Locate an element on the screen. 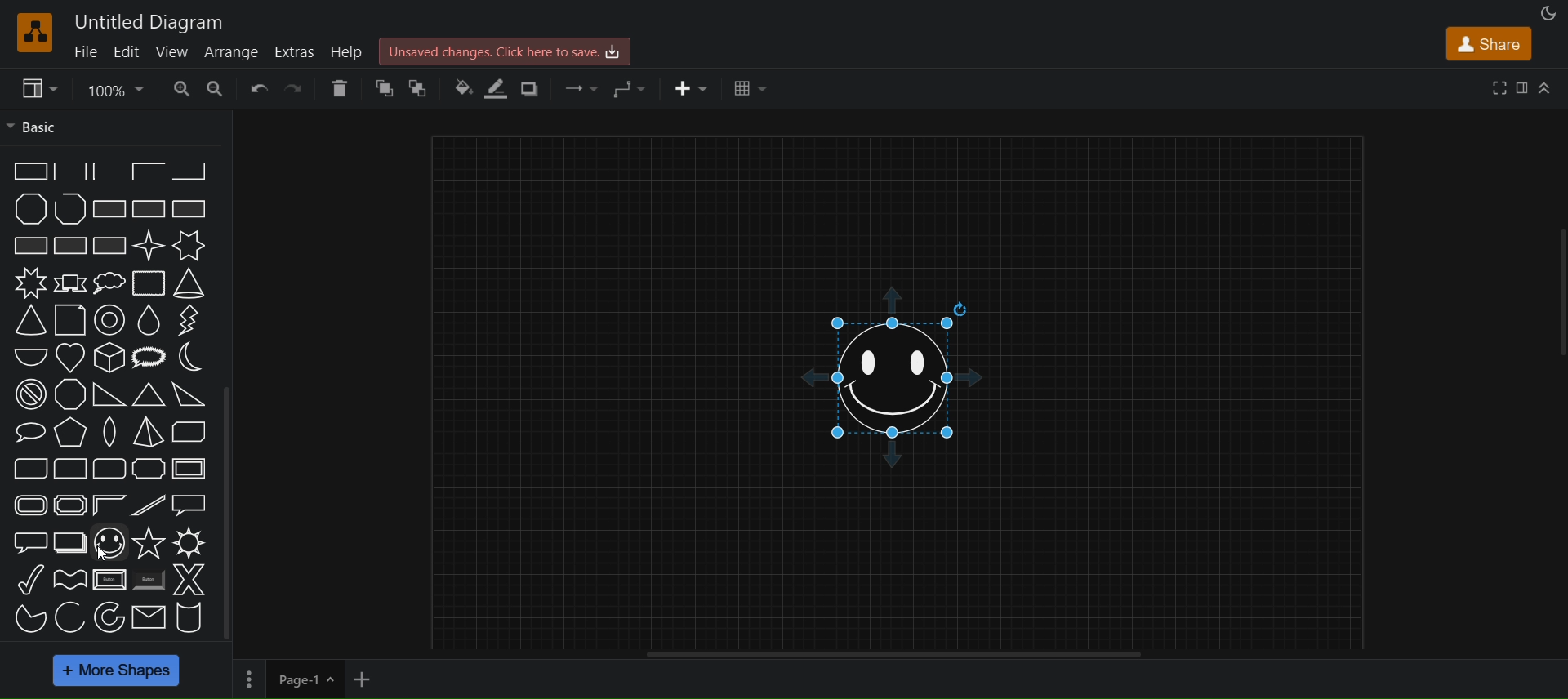 The height and width of the screenshot is (699, 1568). vertical scrollbar is located at coordinates (1558, 295).